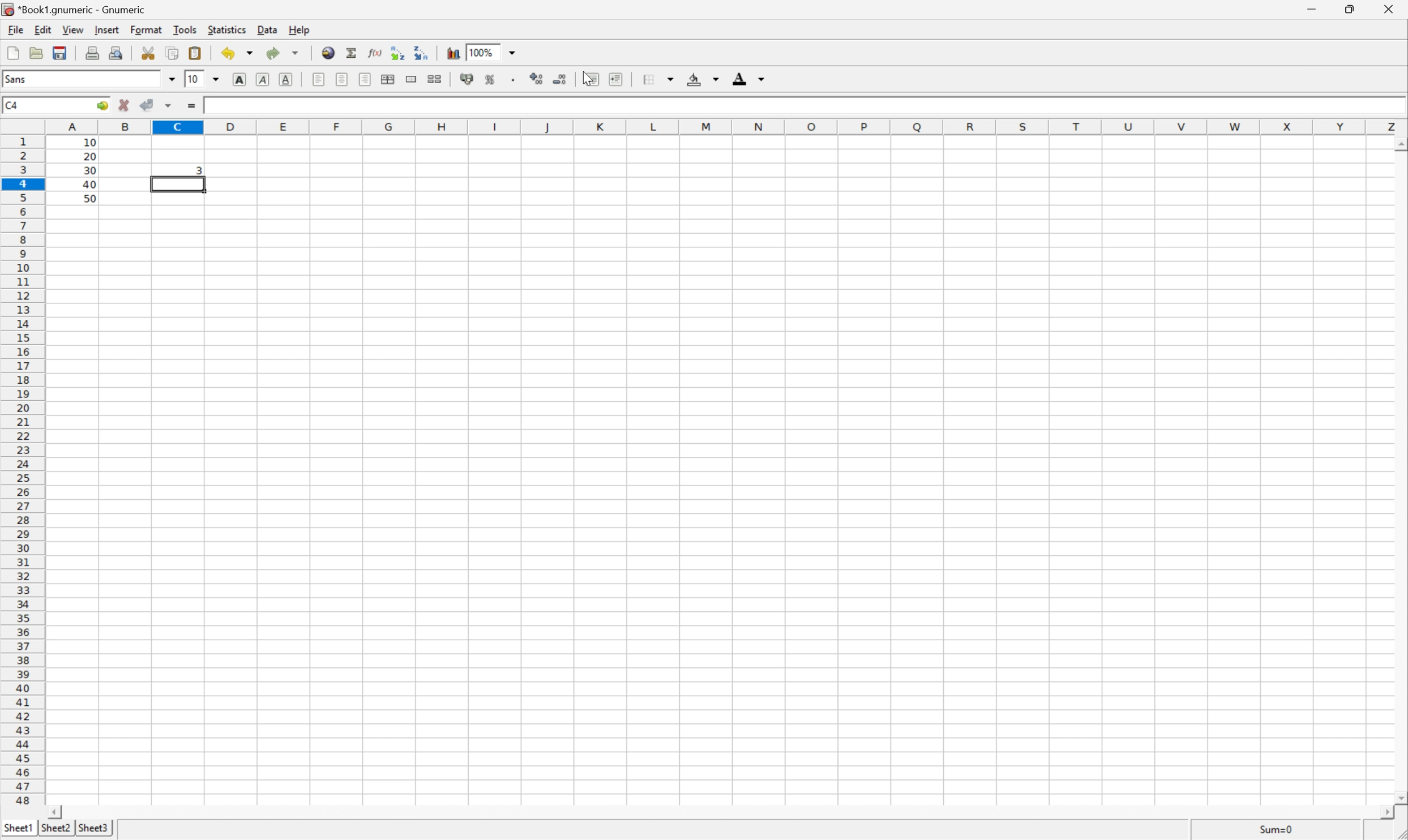 Image resolution: width=1408 pixels, height=840 pixels. What do you see at coordinates (43, 28) in the screenshot?
I see `Edit` at bounding box center [43, 28].